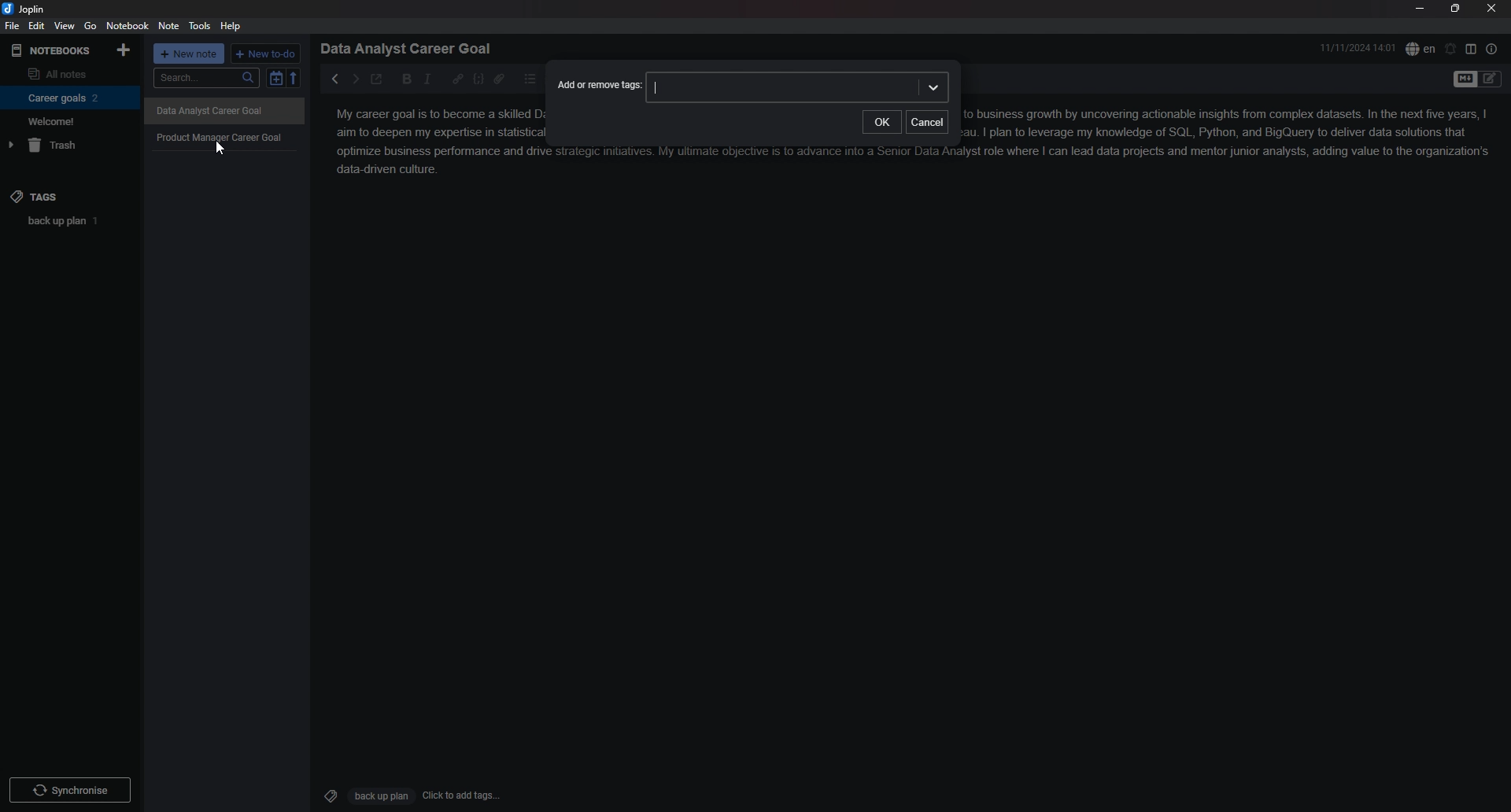 The width and height of the screenshot is (1511, 812). Describe the element at coordinates (65, 26) in the screenshot. I see `view` at that location.